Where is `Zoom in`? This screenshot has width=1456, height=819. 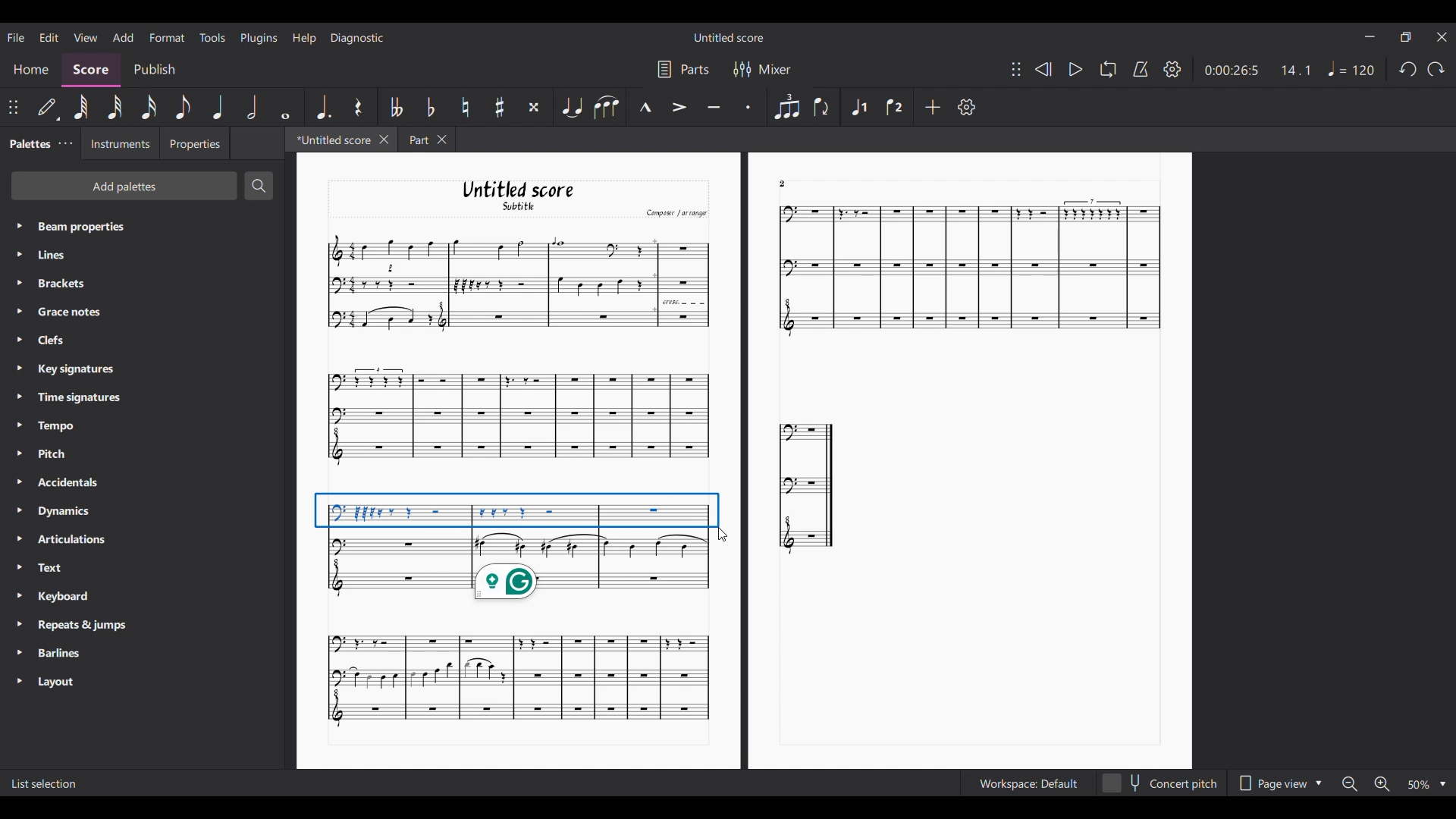
Zoom in is located at coordinates (1383, 785).